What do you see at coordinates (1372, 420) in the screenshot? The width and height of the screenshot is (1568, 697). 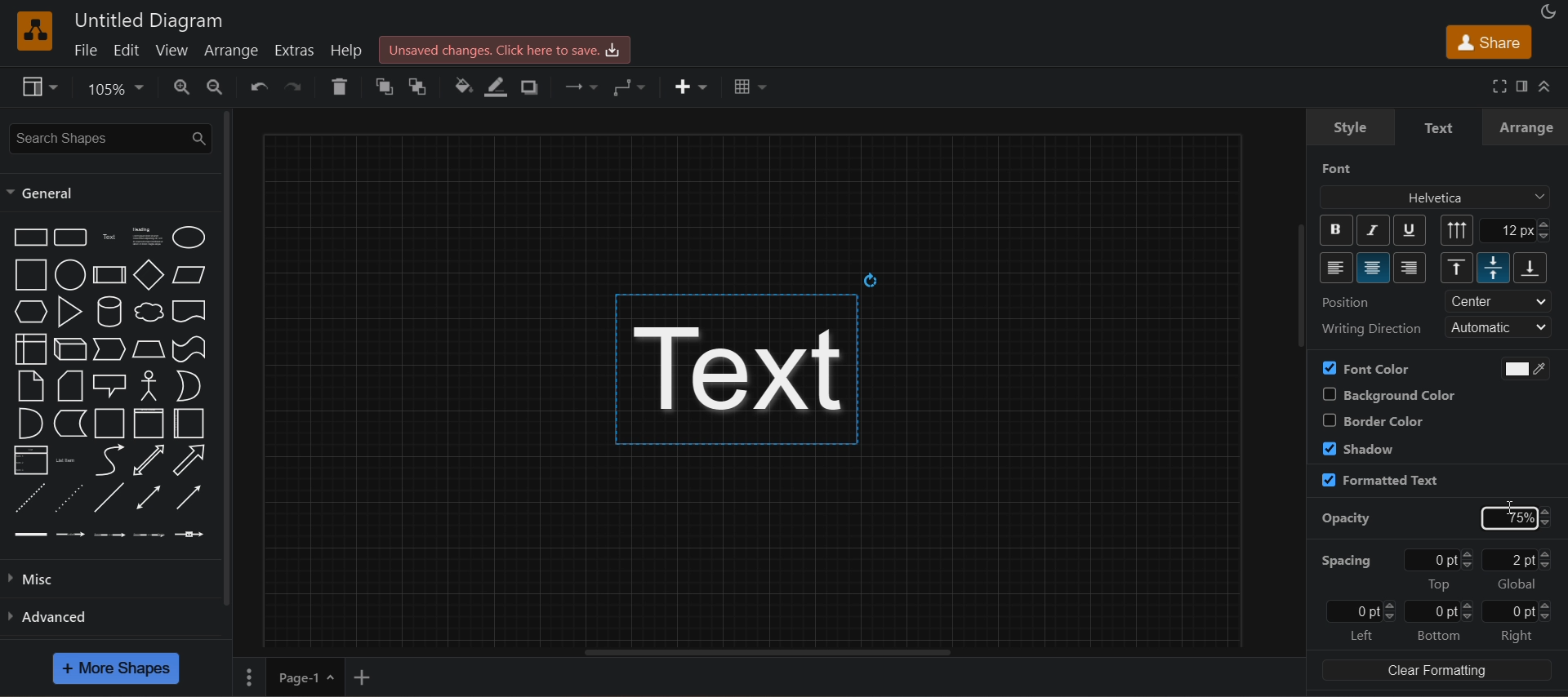 I see `border color` at bounding box center [1372, 420].